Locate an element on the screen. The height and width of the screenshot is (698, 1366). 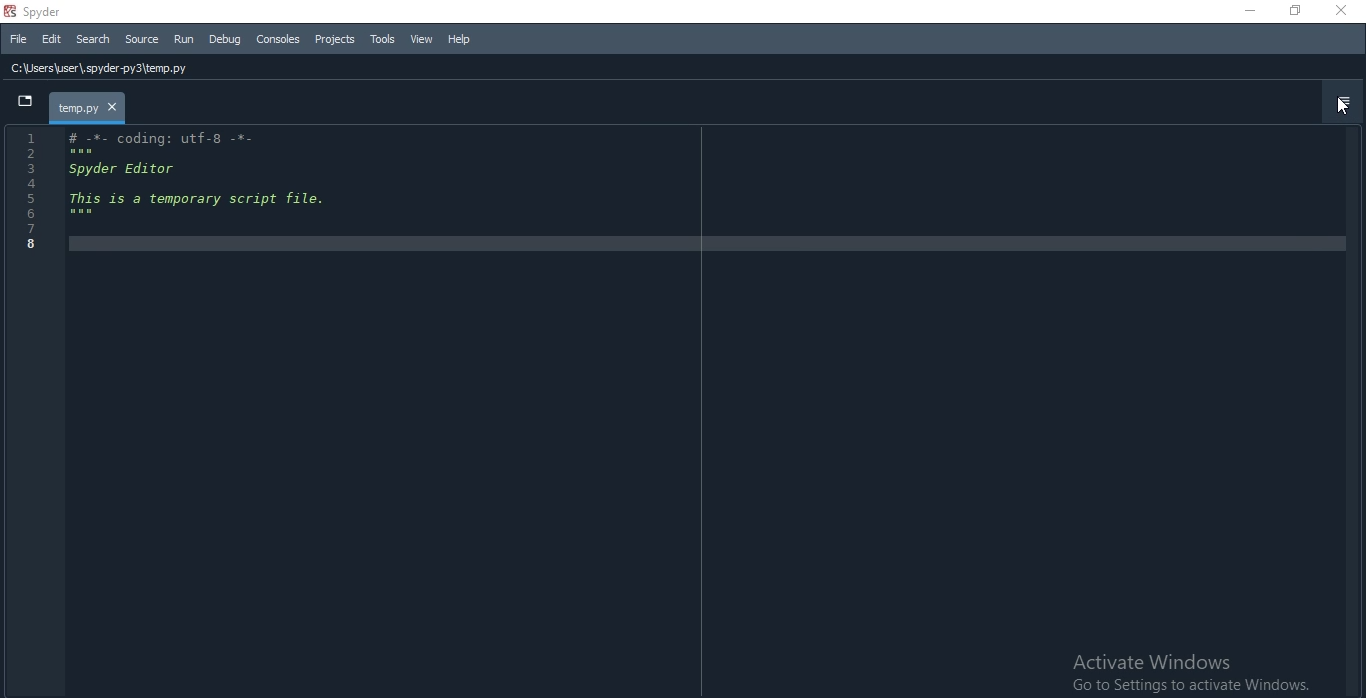
Python code is located at coordinates (166, 194).